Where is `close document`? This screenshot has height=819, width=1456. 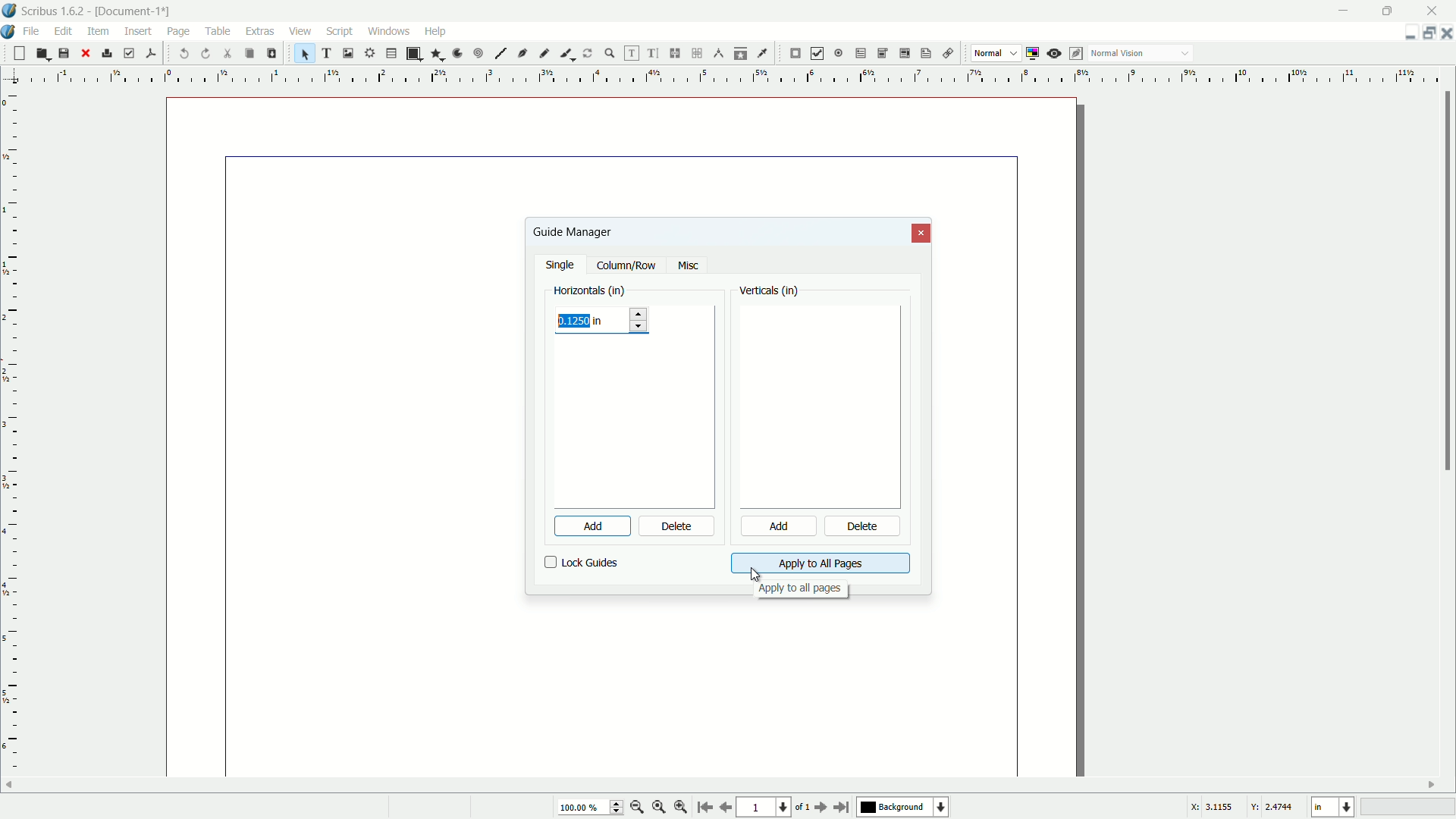 close document is located at coordinates (1447, 33).